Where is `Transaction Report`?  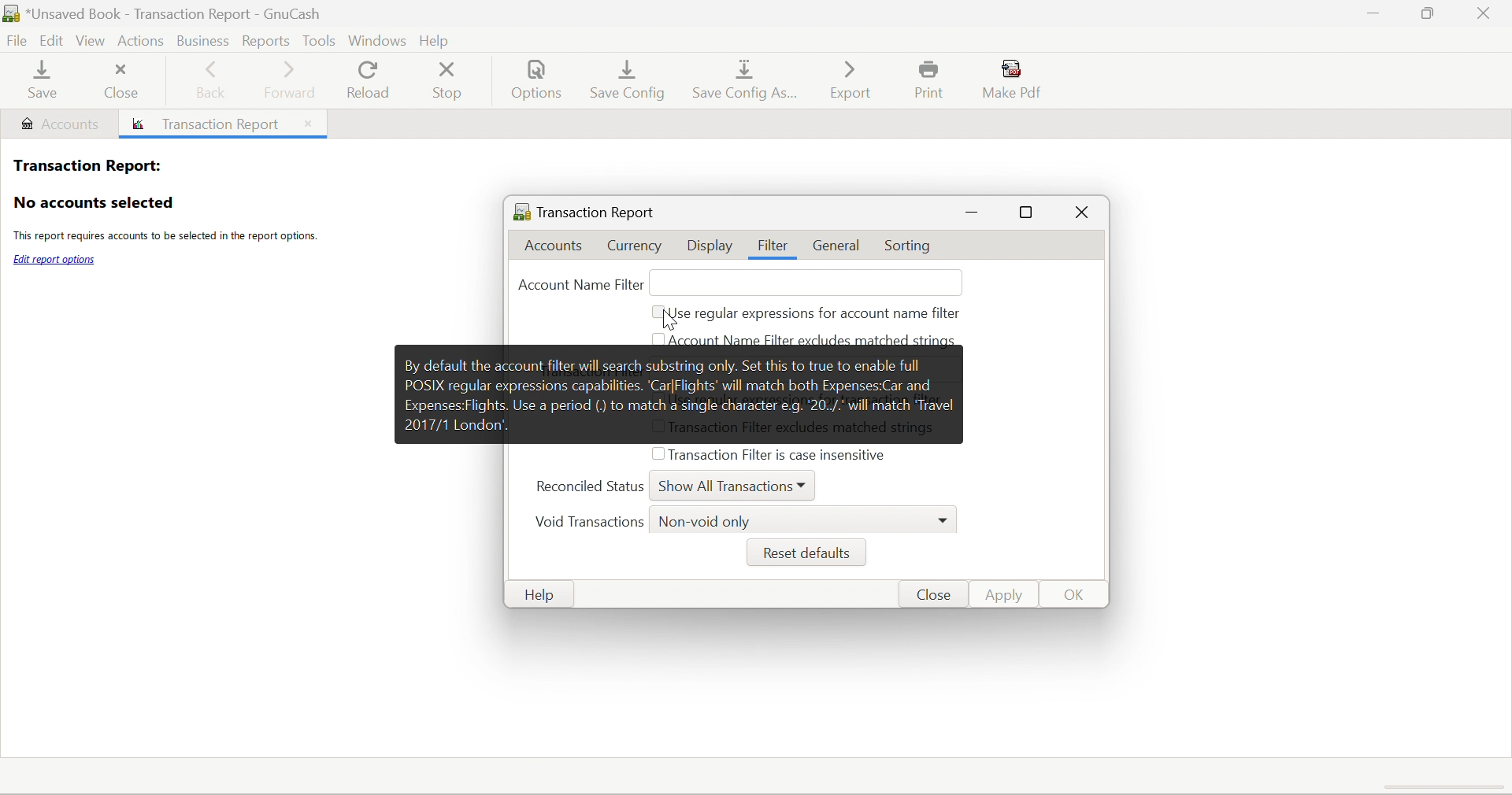
Transaction Report is located at coordinates (584, 209).